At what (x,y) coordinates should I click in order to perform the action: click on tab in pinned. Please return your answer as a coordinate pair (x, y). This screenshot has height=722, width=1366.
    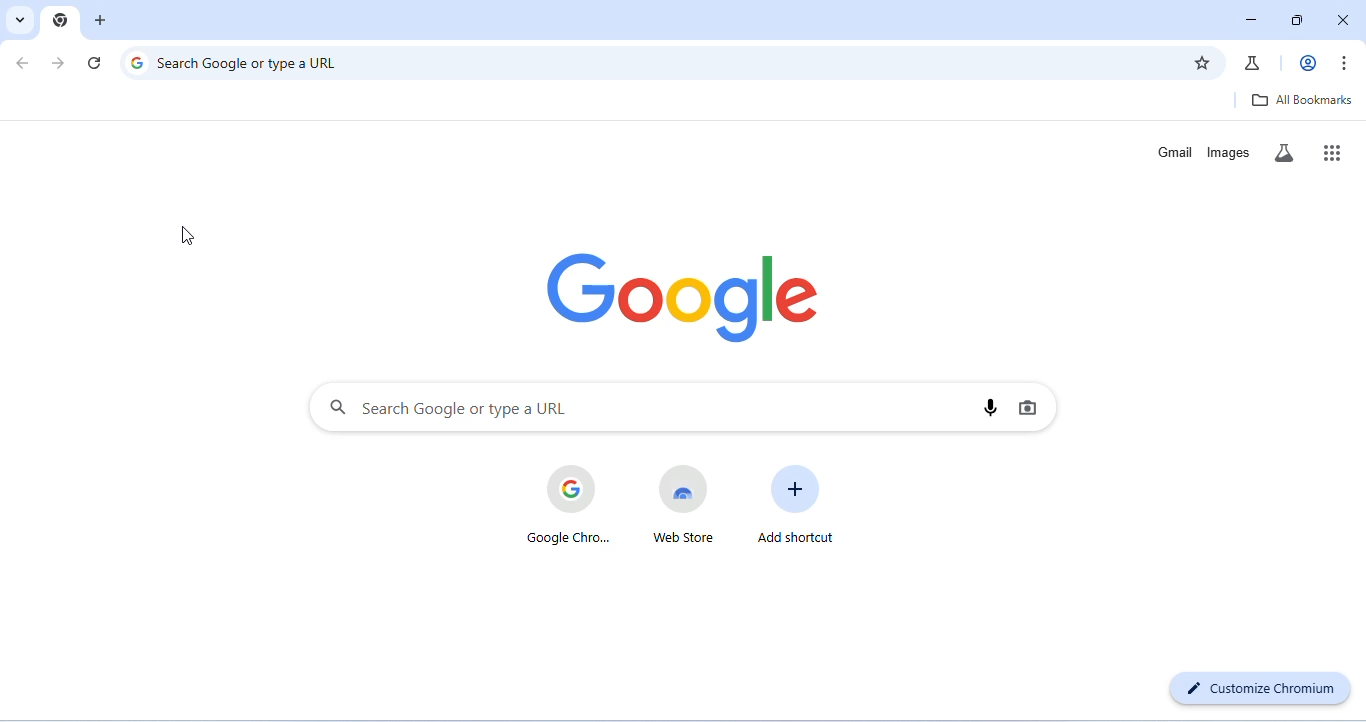
    Looking at the image, I should click on (59, 18).